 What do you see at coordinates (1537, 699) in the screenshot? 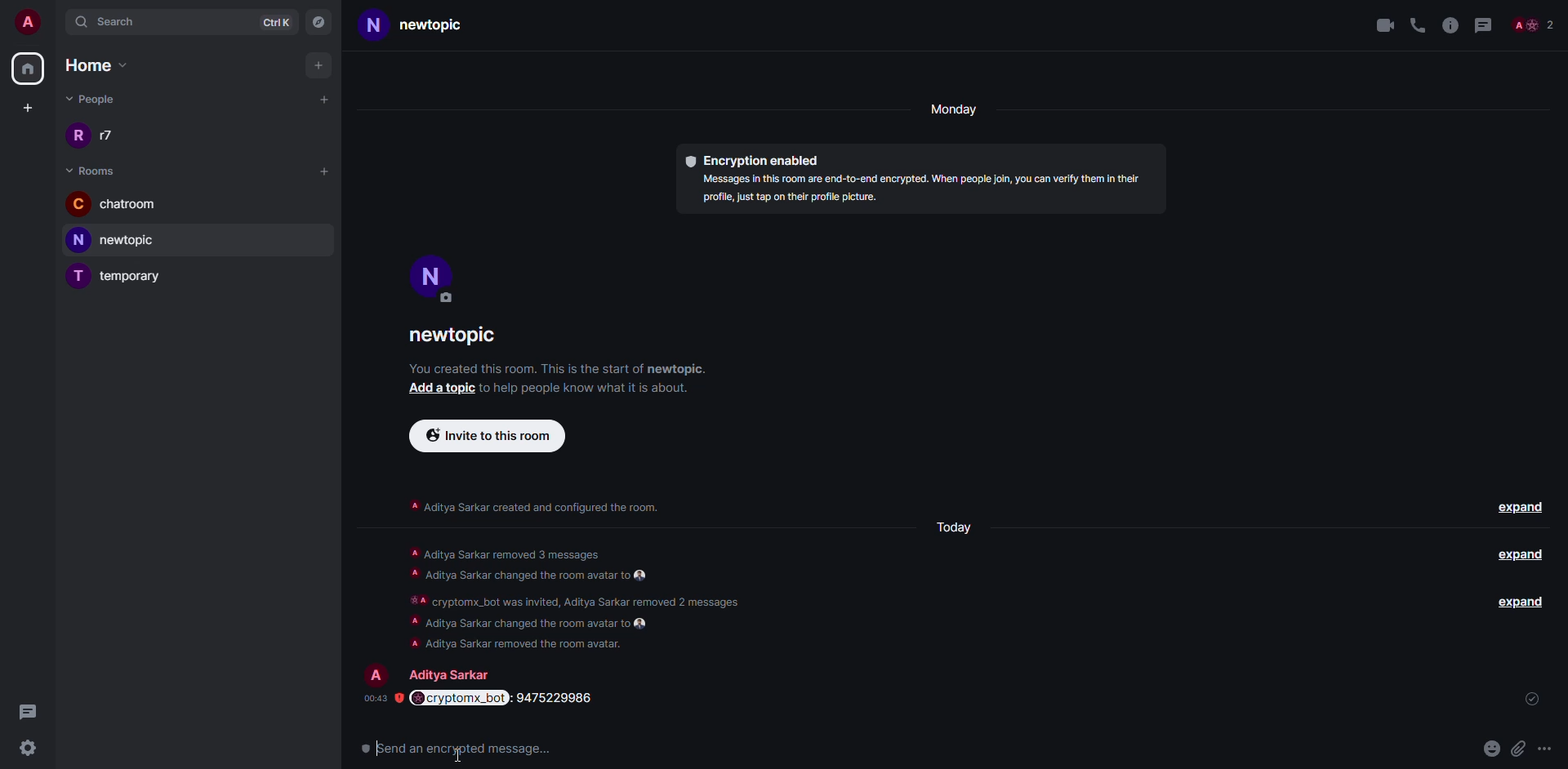
I see `sent` at bounding box center [1537, 699].